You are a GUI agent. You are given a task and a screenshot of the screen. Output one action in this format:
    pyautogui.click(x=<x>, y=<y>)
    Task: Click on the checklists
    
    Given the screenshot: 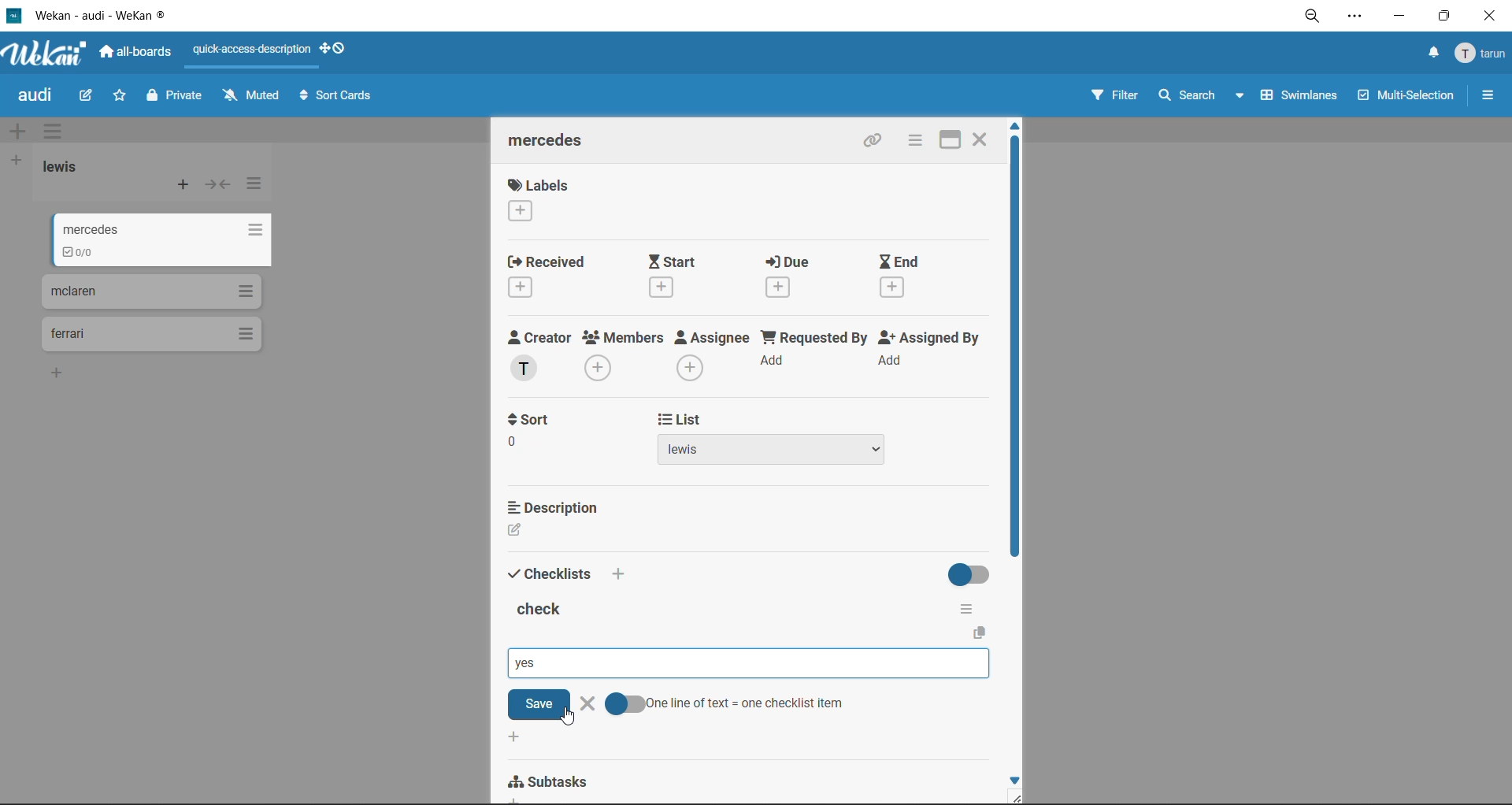 What is the action you would take?
    pyautogui.click(x=550, y=572)
    